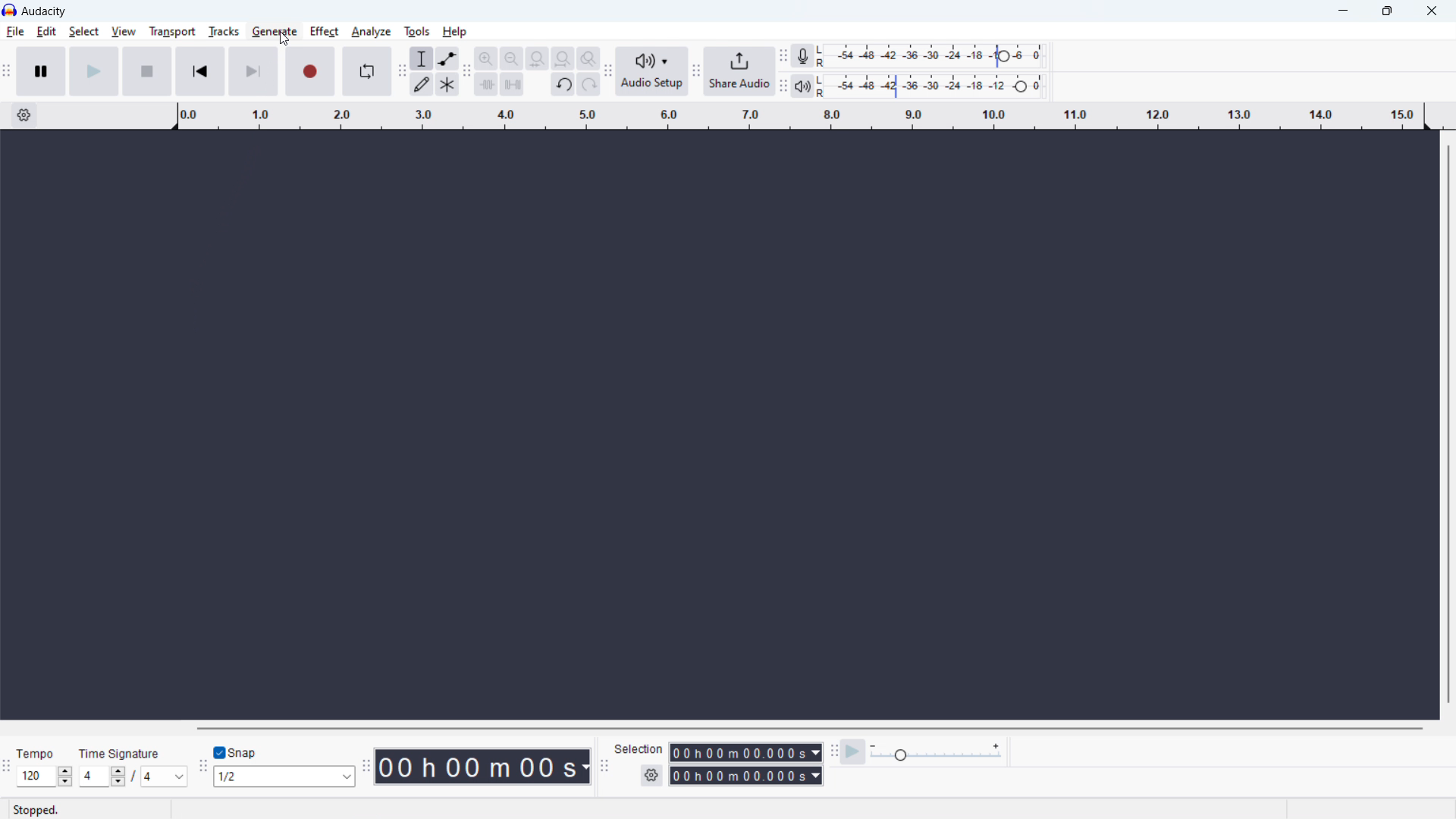 The image size is (1456, 819). I want to click on file, so click(15, 31).